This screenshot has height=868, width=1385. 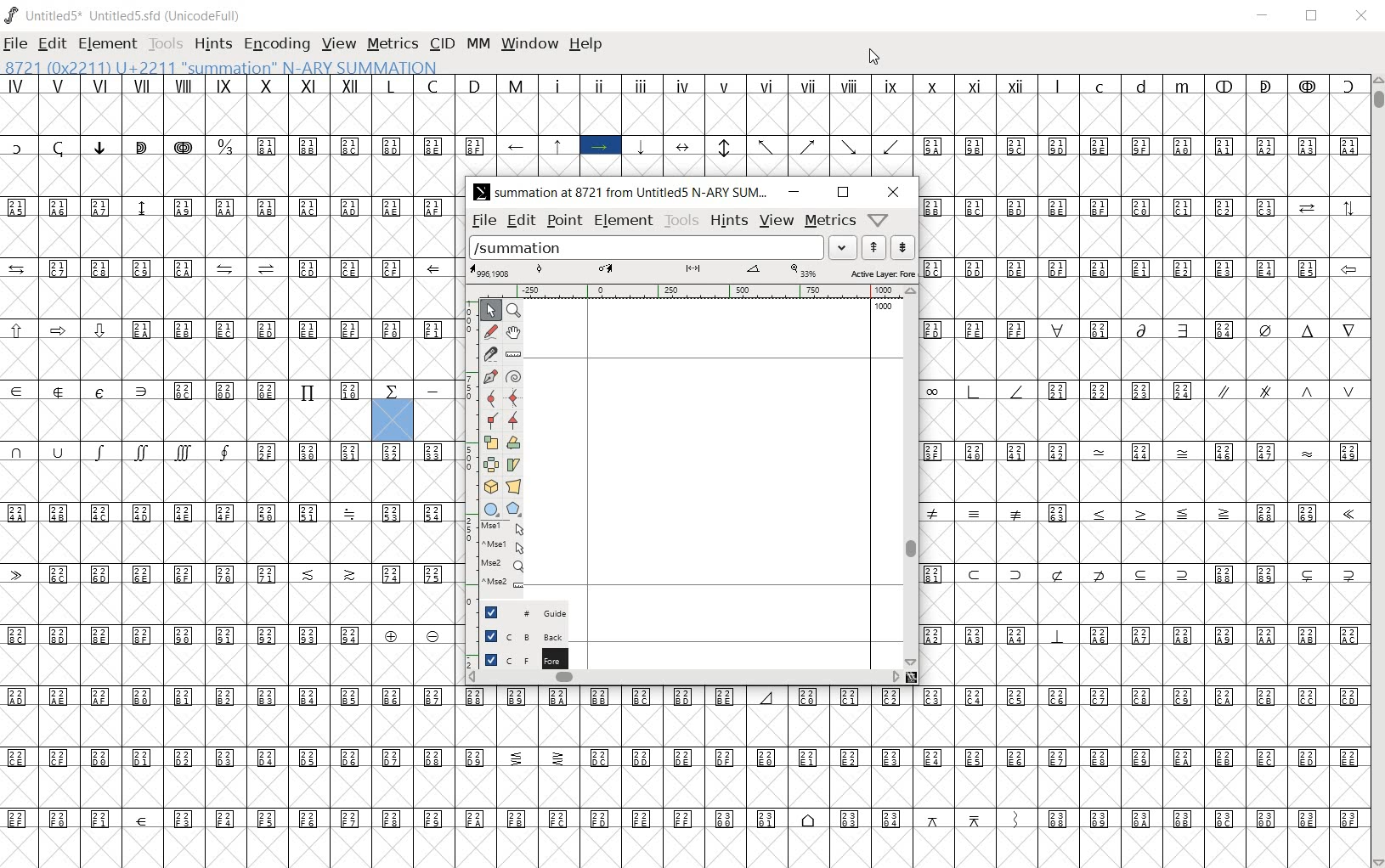 I want to click on point, so click(x=563, y=221).